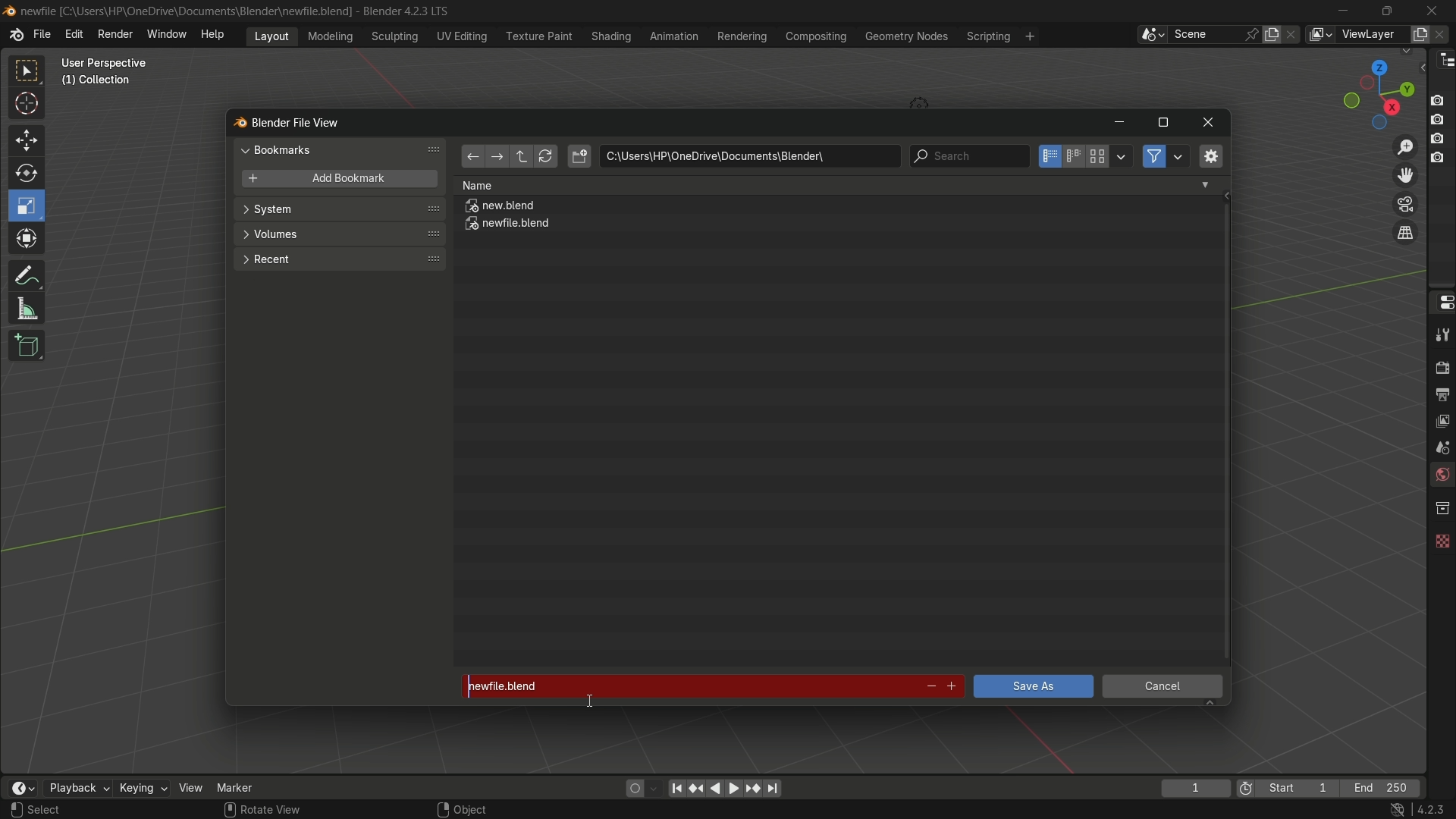  Describe the element at coordinates (1152, 35) in the screenshot. I see `browse scenes` at that location.